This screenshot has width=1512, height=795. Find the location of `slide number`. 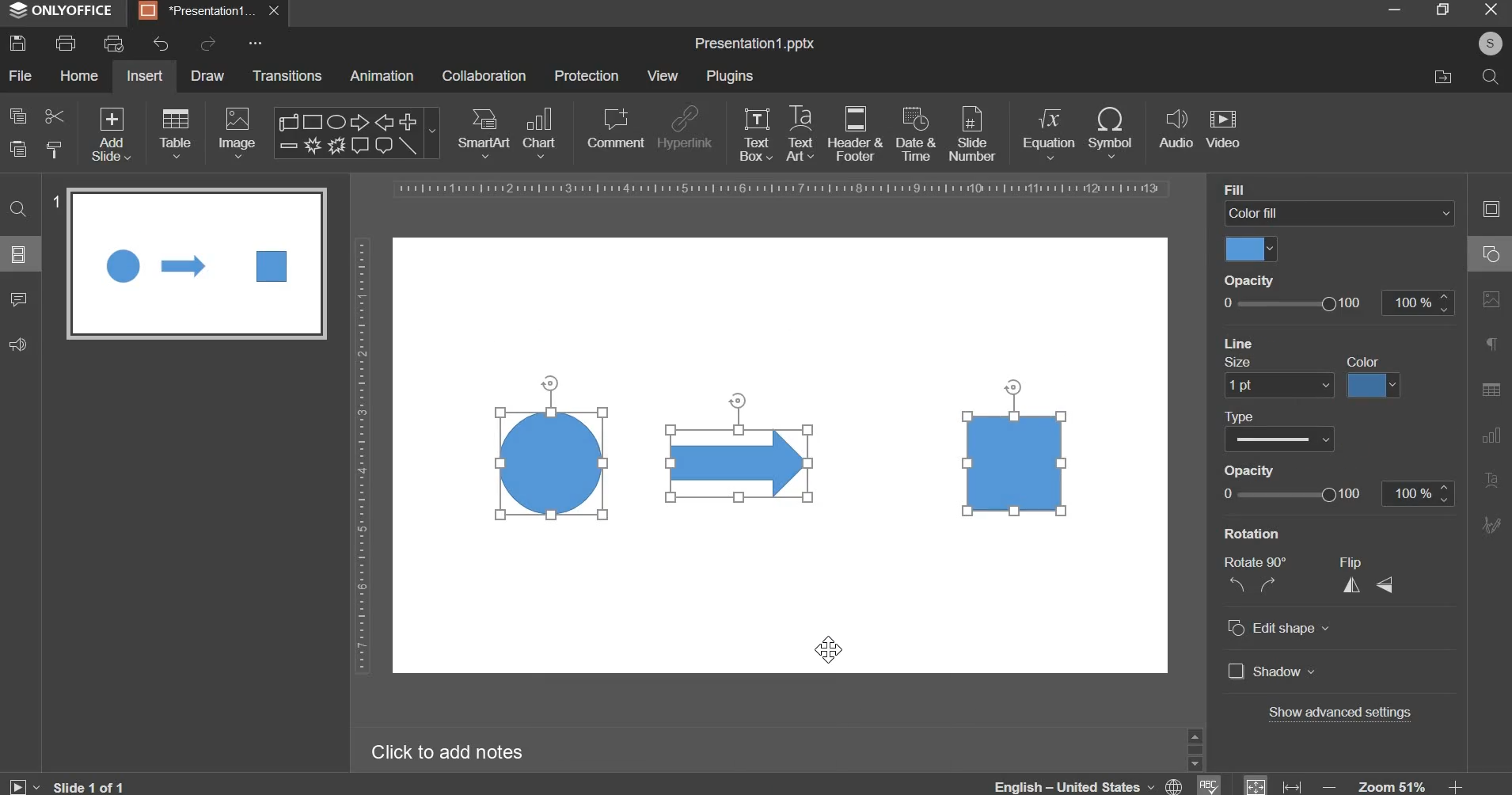

slide number is located at coordinates (56, 200).